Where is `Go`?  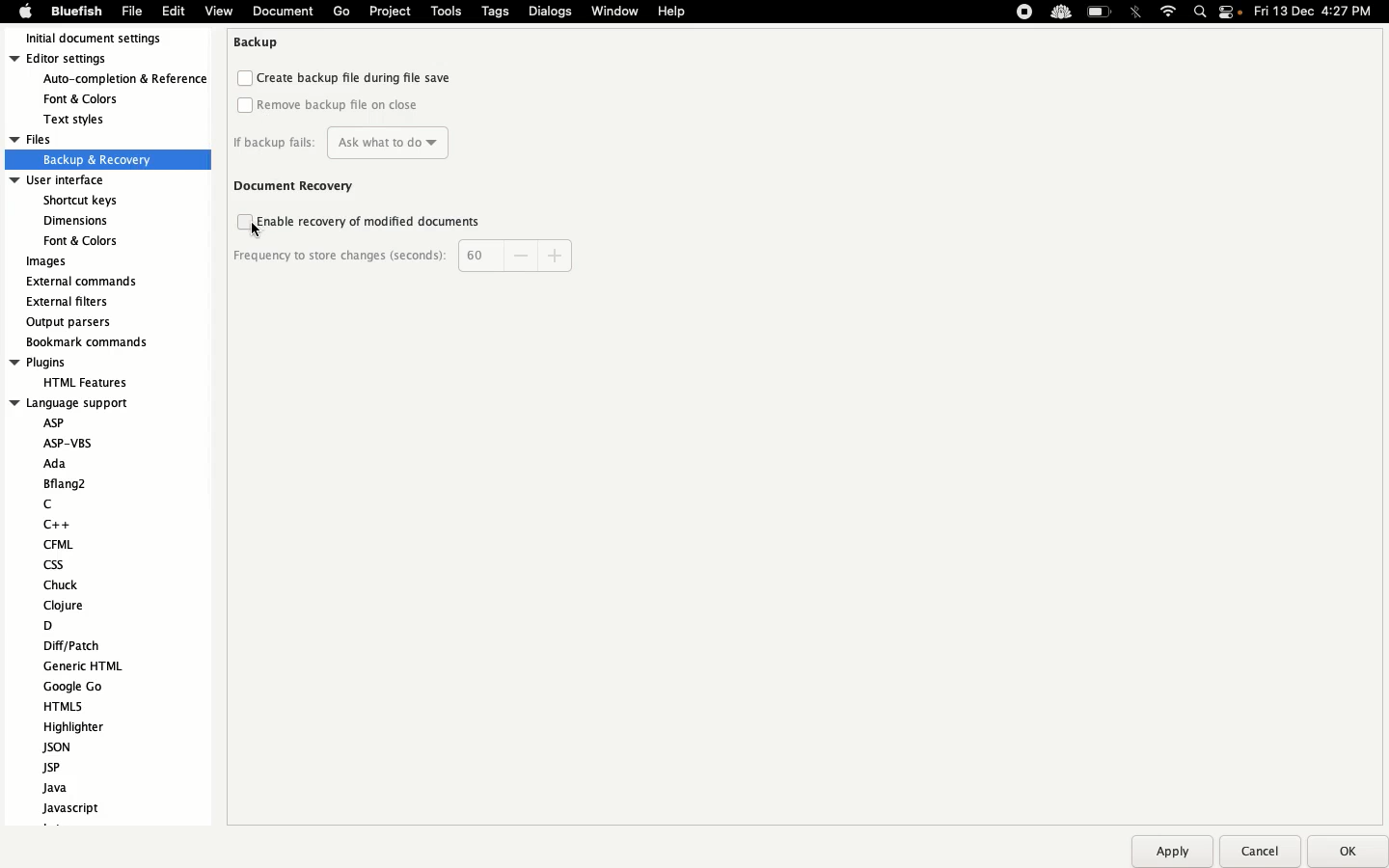 Go is located at coordinates (342, 12).